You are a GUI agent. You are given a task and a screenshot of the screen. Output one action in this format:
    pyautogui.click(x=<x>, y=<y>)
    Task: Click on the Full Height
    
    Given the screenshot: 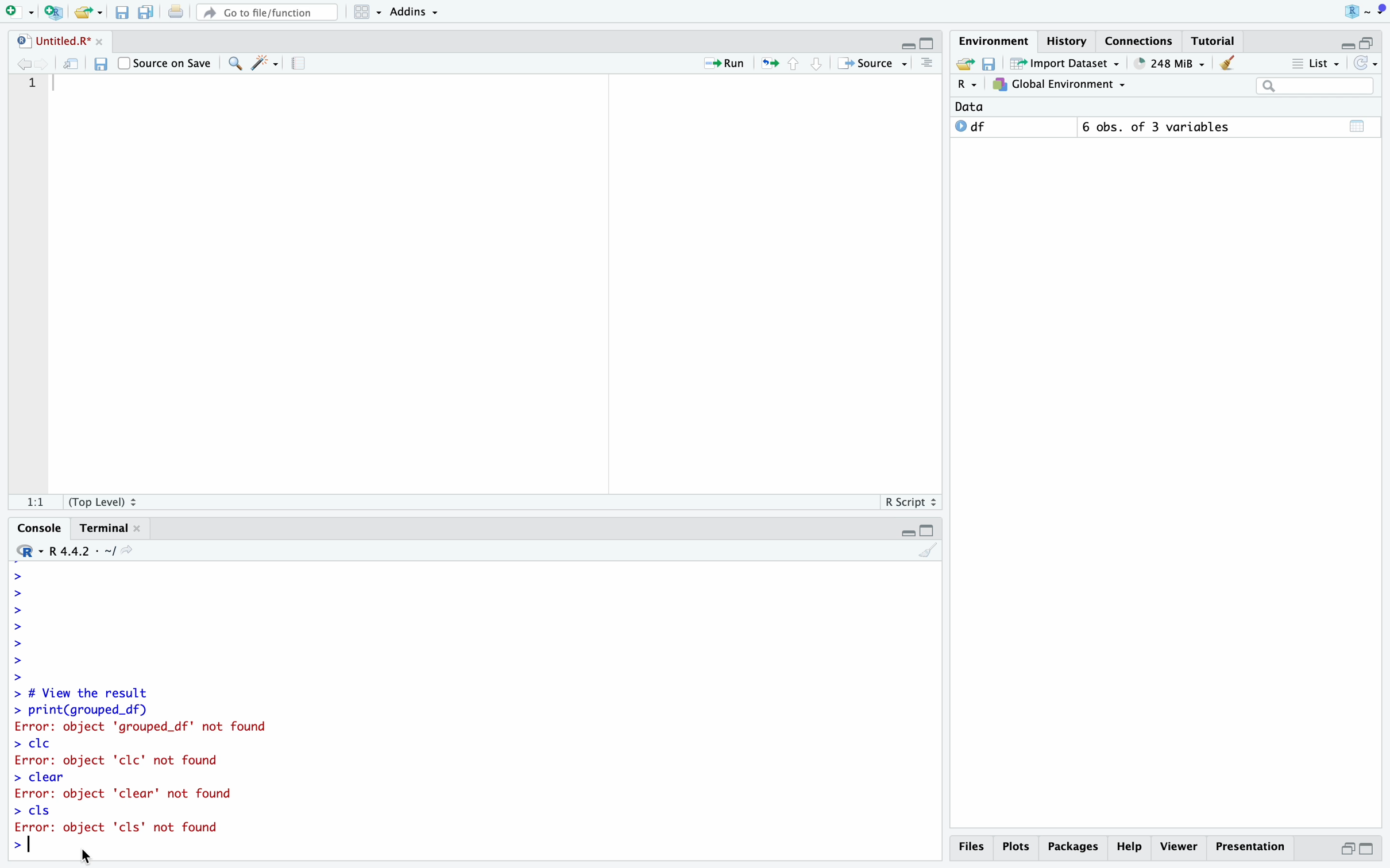 What is the action you would take?
    pyautogui.click(x=929, y=41)
    